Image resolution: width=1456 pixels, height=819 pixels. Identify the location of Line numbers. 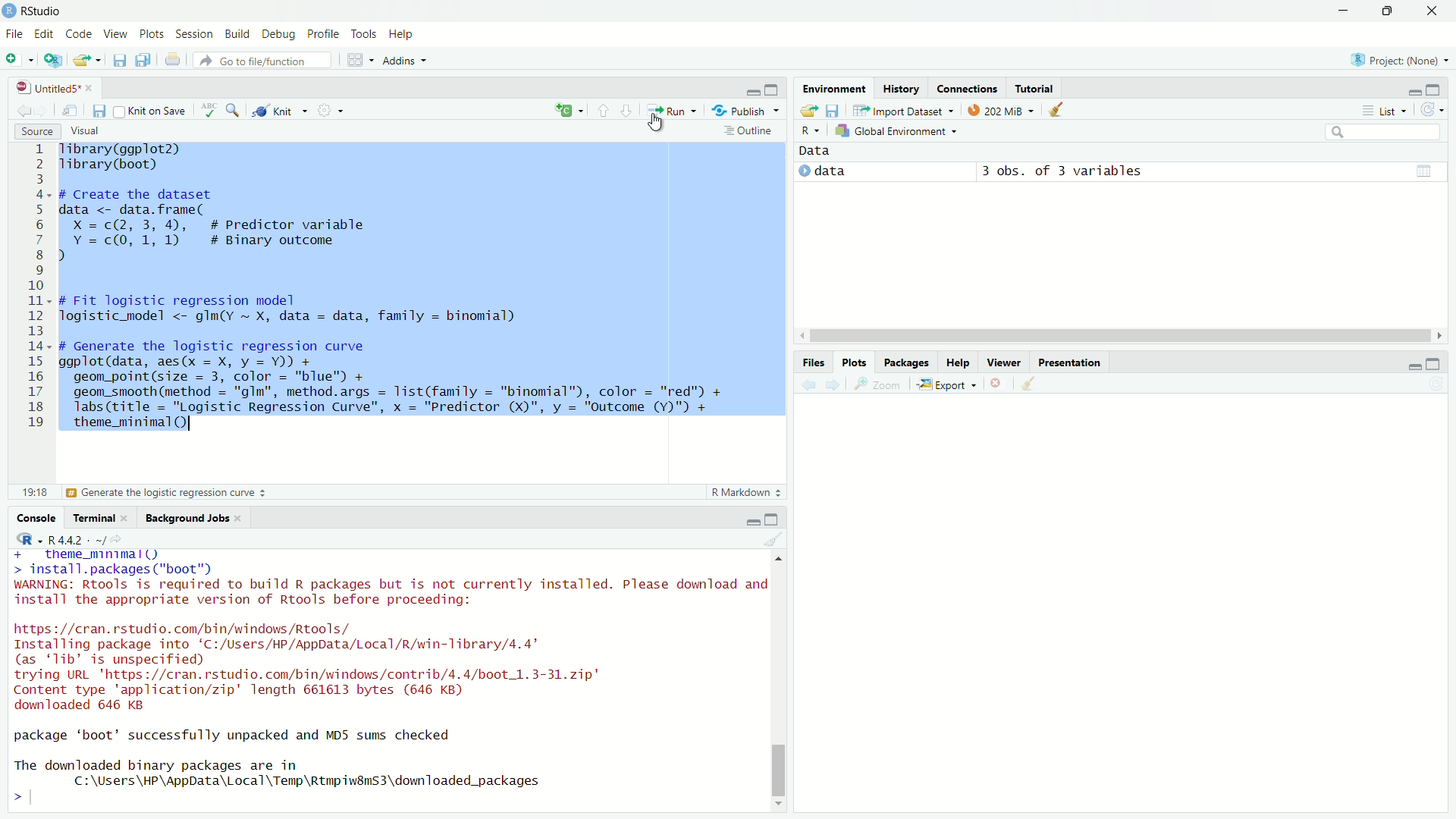
(32, 290).